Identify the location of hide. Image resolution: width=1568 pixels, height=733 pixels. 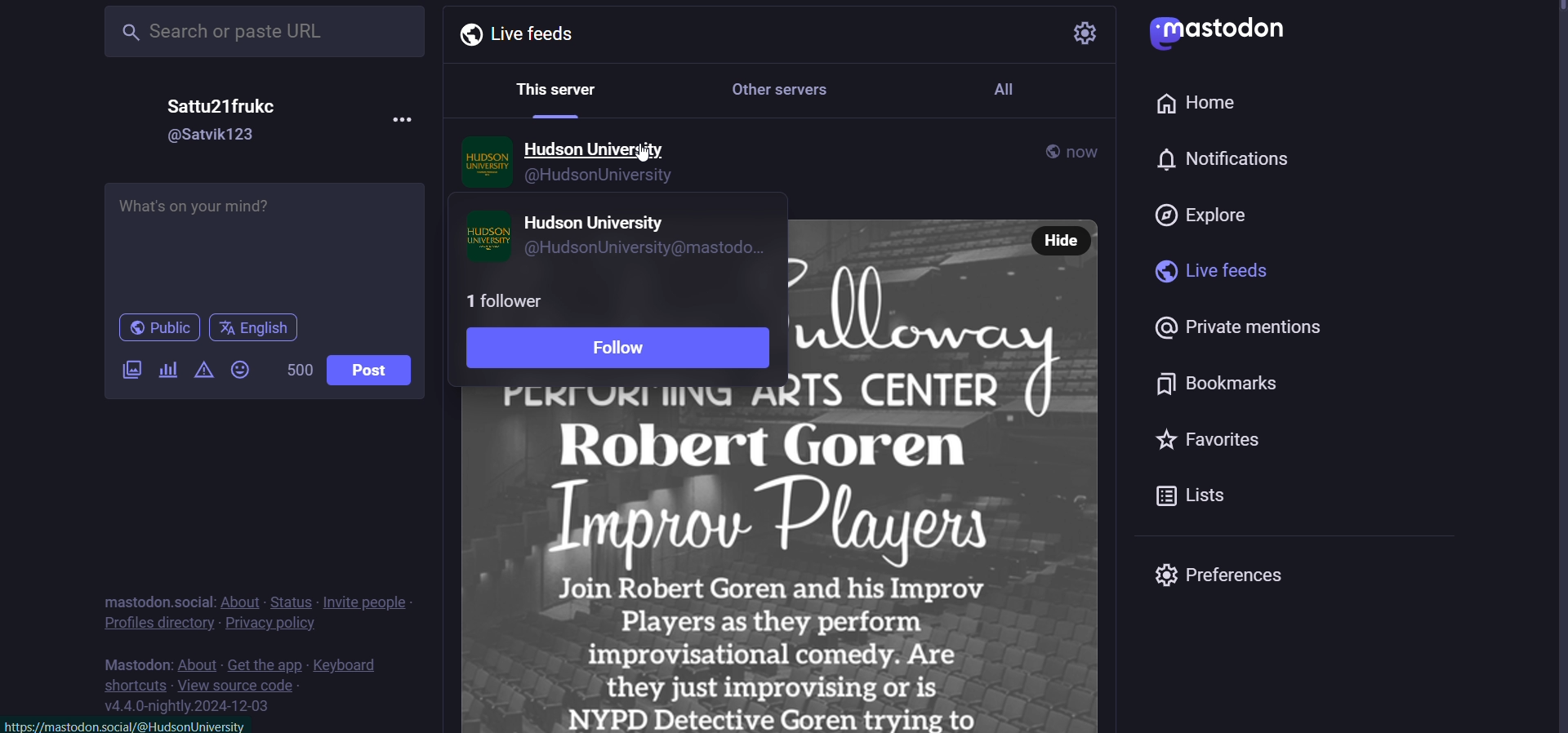
(1062, 239).